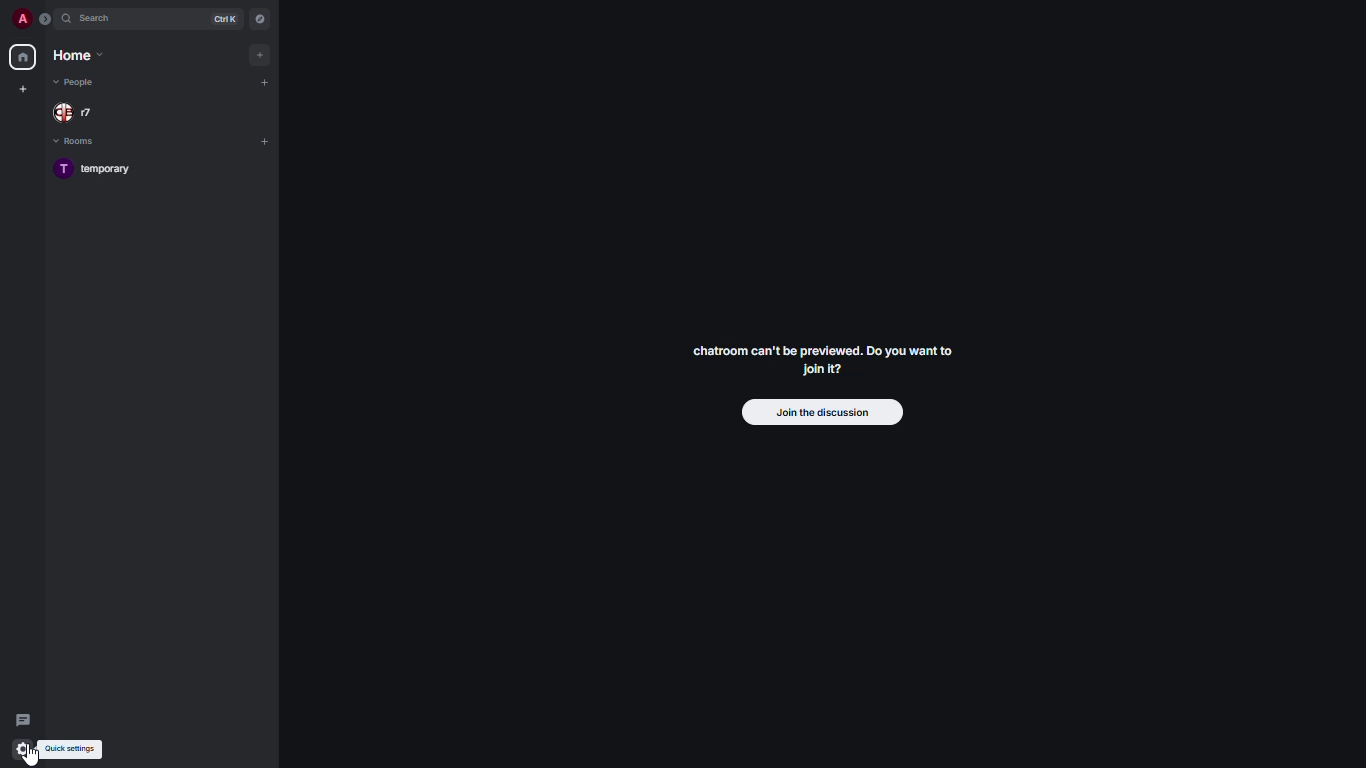 The height and width of the screenshot is (768, 1366). I want to click on home, so click(78, 54).